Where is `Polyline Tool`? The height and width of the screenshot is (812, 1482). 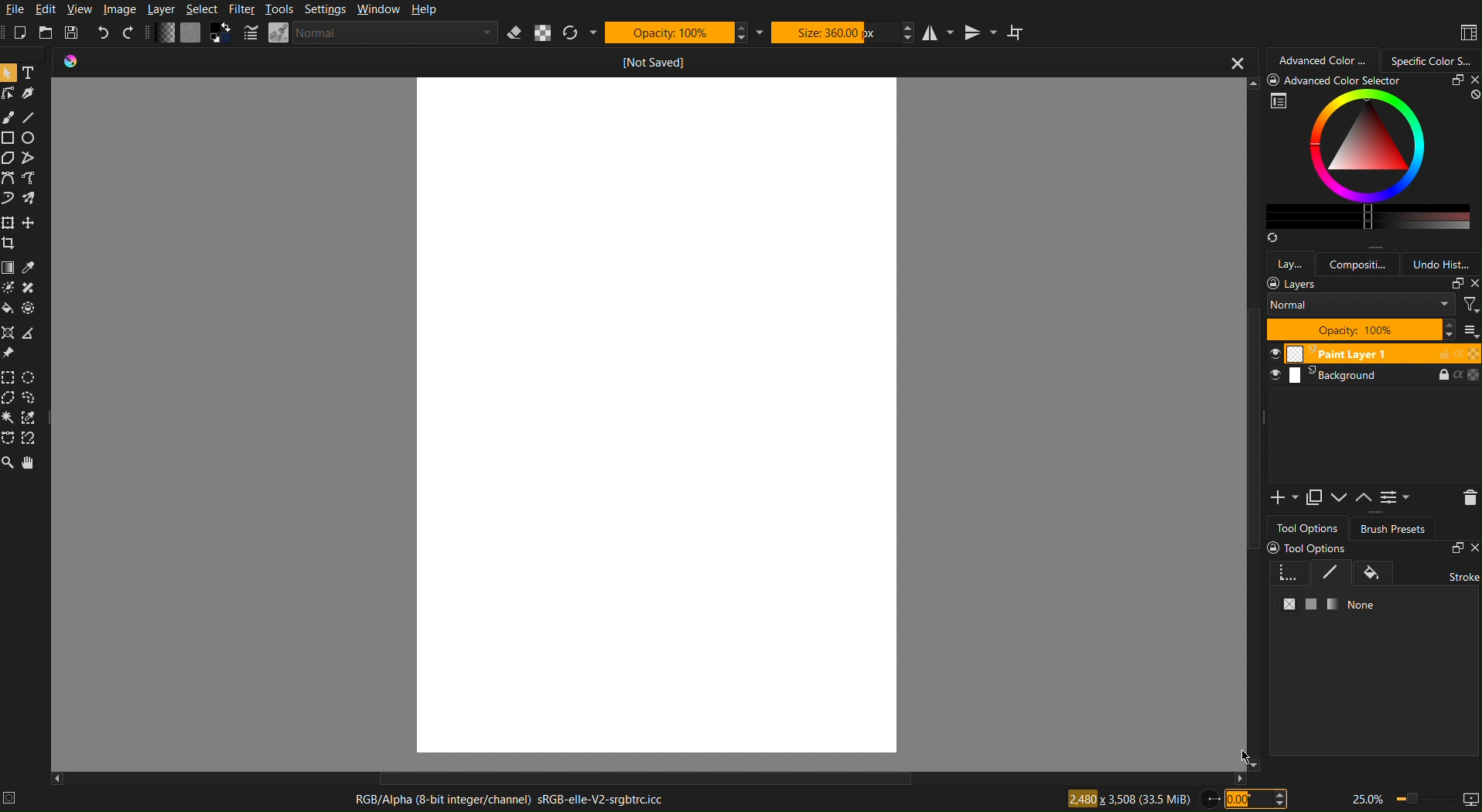
Polyline Tool is located at coordinates (35, 179).